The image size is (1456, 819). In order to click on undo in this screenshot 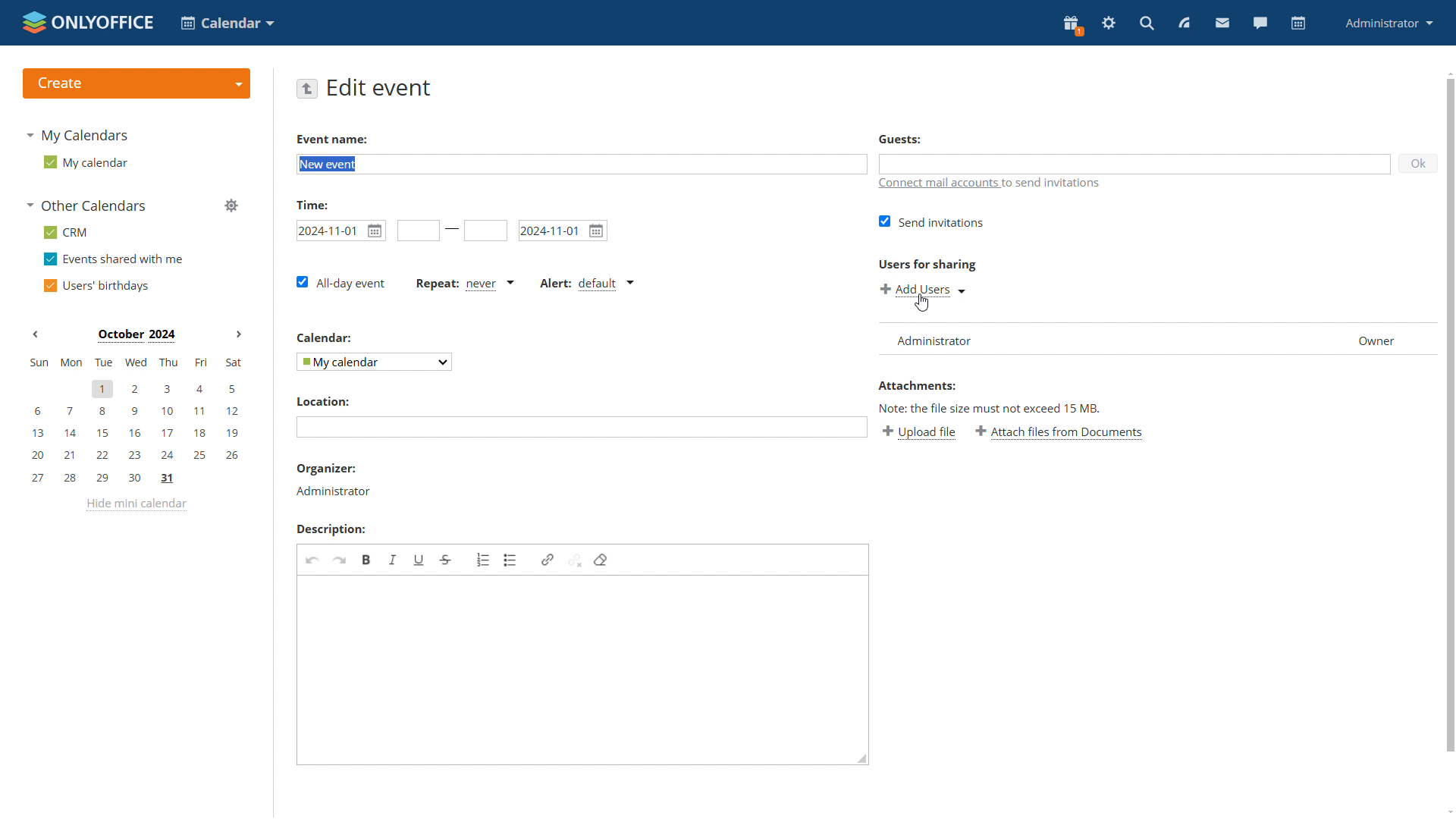, I will do `click(312, 559)`.